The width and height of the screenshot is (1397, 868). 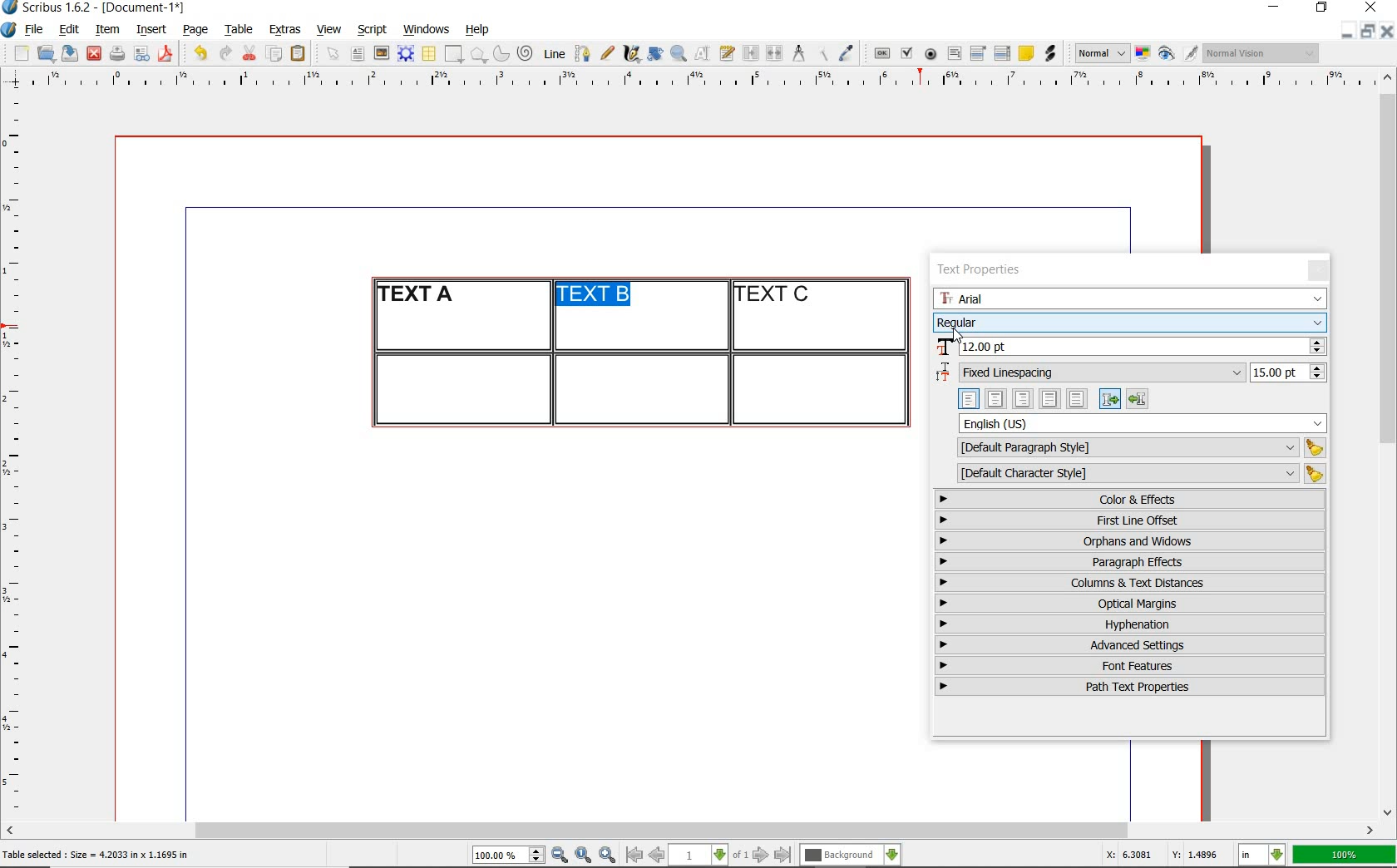 What do you see at coordinates (151, 30) in the screenshot?
I see `insert` at bounding box center [151, 30].